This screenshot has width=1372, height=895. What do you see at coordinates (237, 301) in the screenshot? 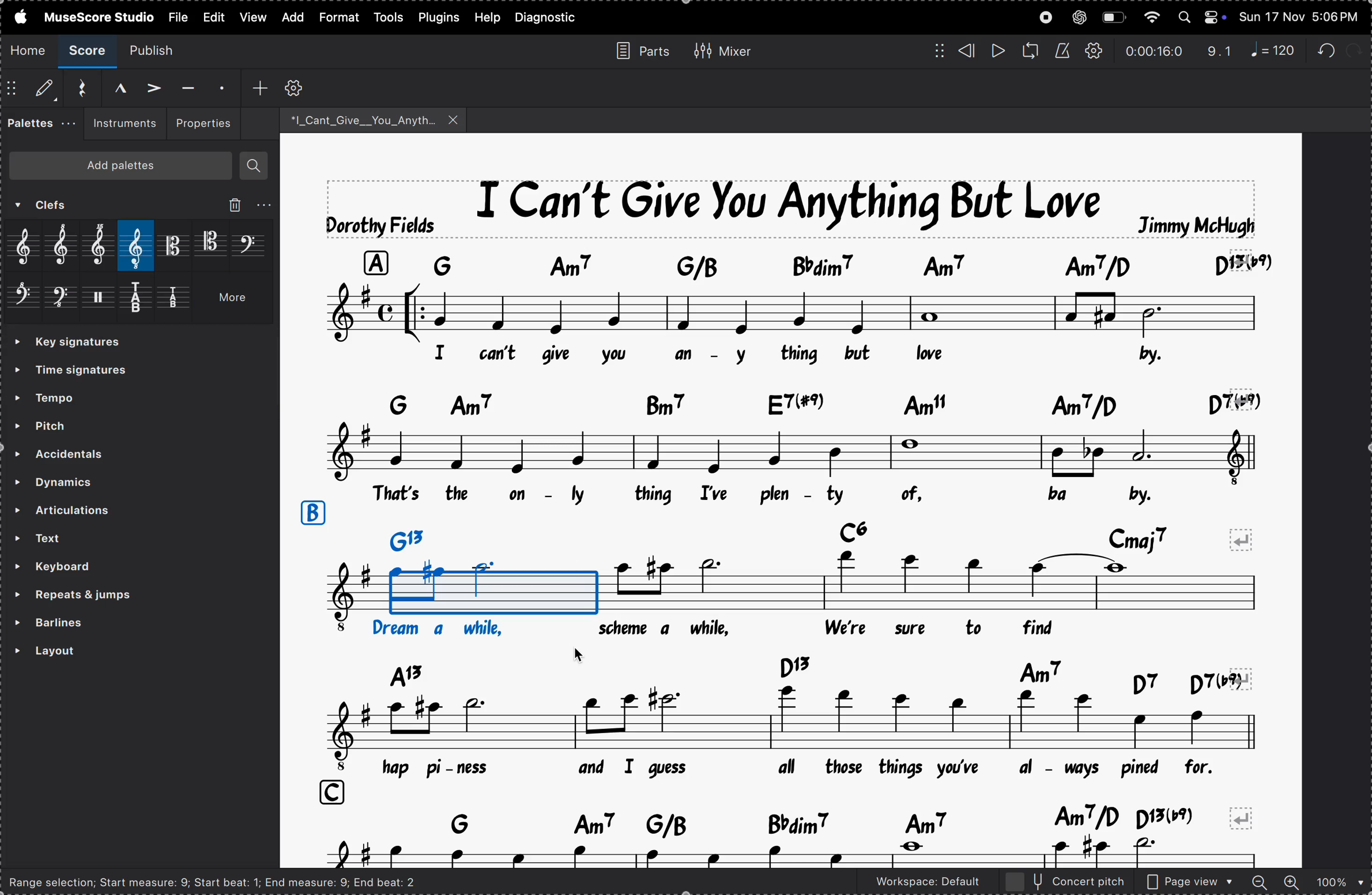
I see `More` at bounding box center [237, 301].